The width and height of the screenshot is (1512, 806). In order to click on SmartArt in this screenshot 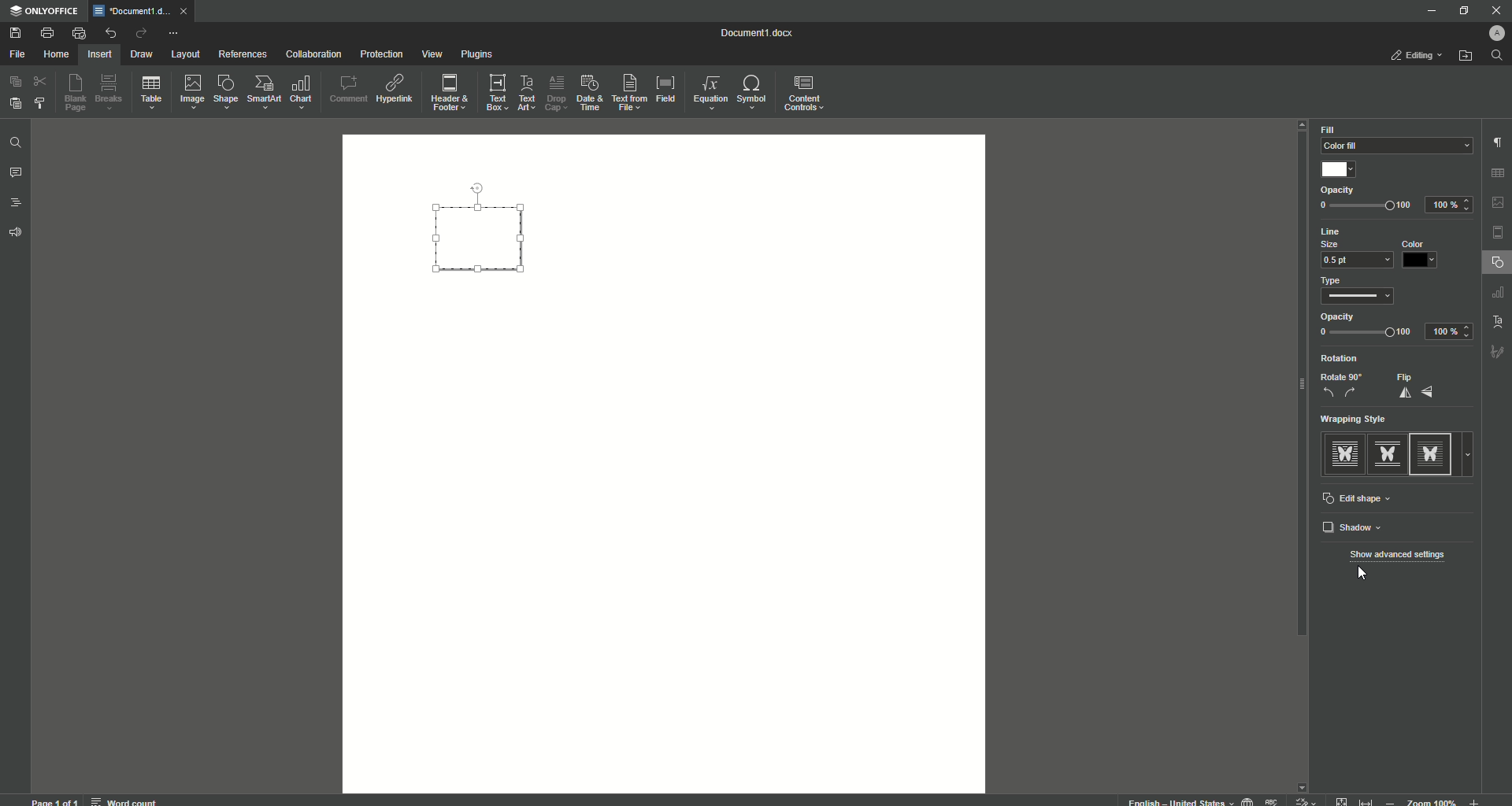, I will do `click(264, 92)`.